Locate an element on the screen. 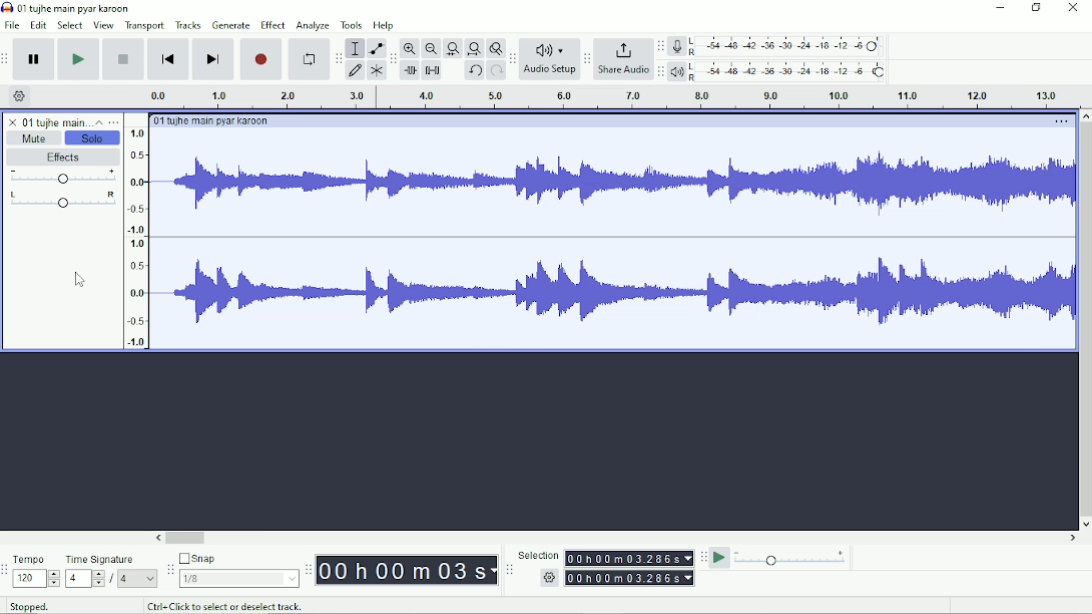 This screenshot has width=1092, height=614.  is located at coordinates (112, 578).